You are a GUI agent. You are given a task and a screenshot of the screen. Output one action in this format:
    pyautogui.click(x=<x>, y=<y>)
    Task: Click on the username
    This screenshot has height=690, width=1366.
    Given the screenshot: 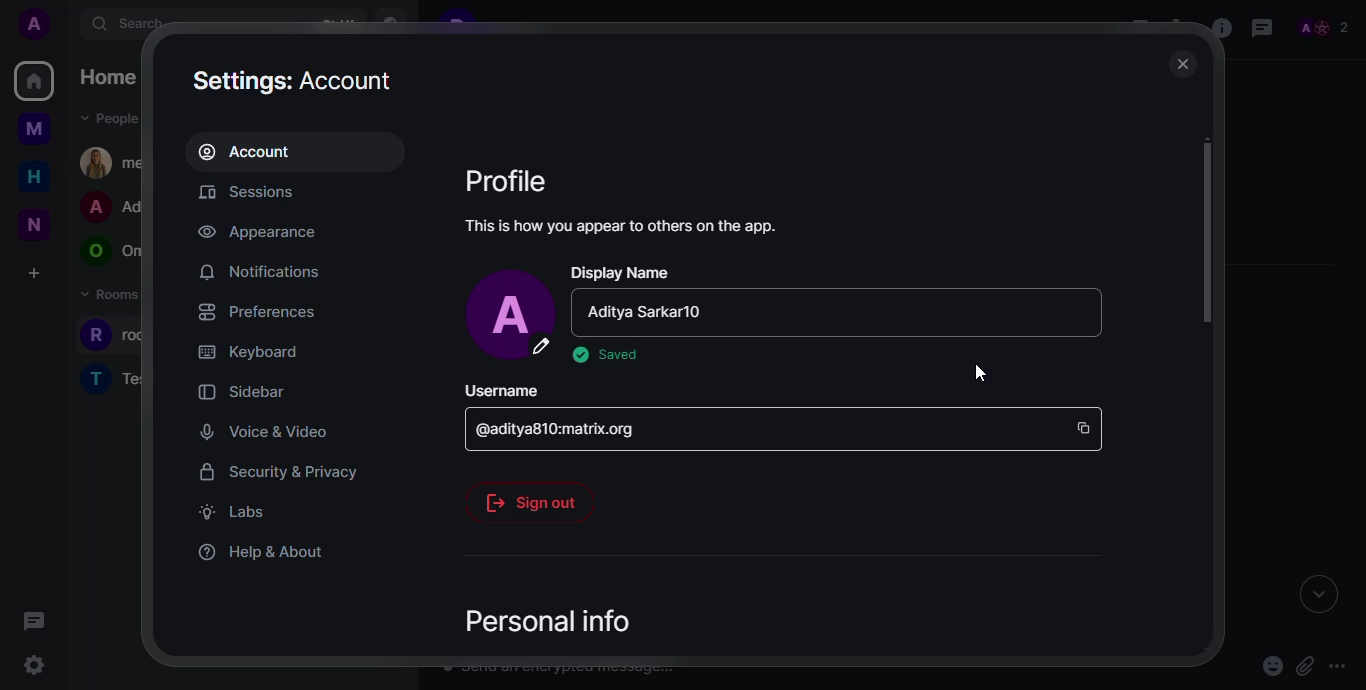 What is the action you would take?
    pyautogui.click(x=502, y=388)
    